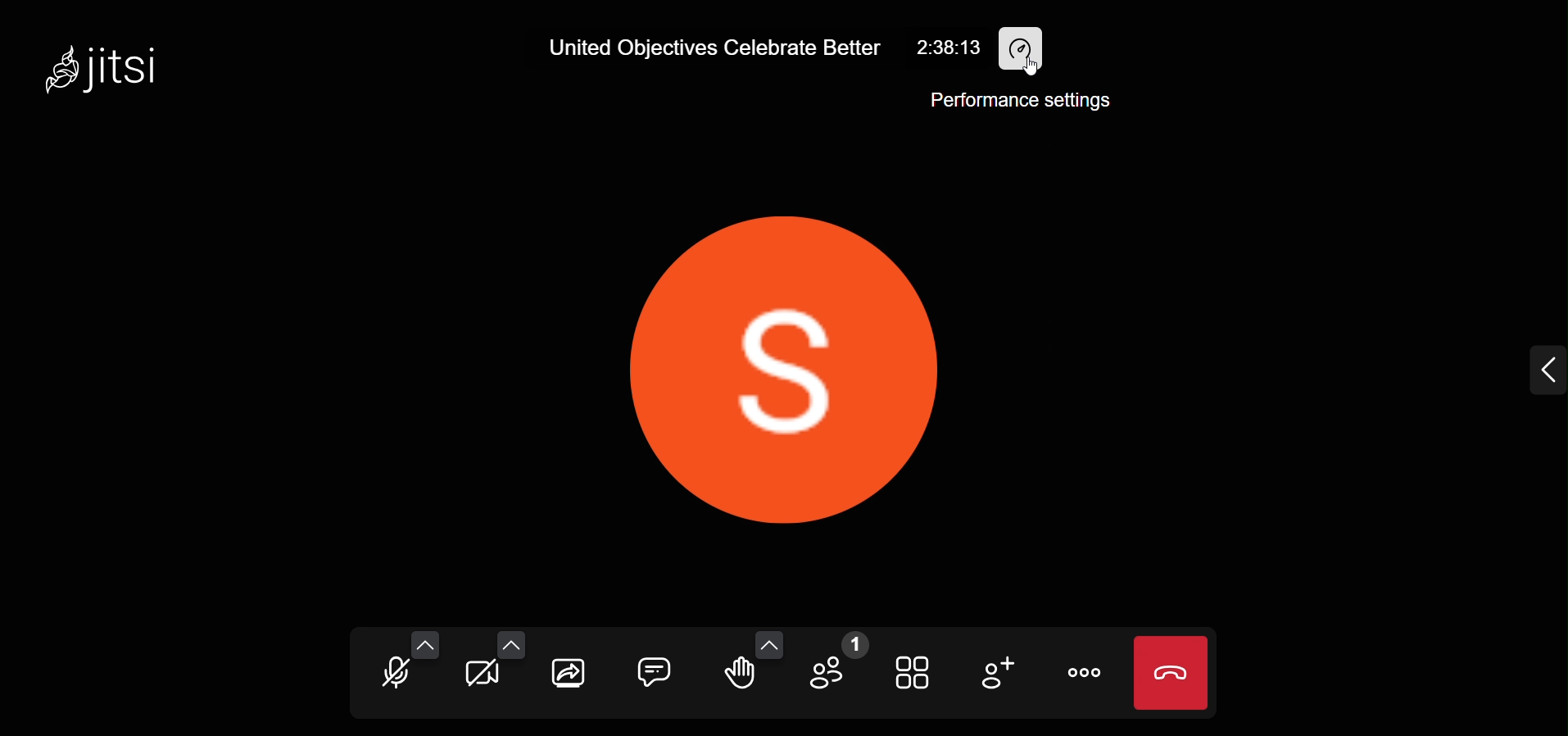 The width and height of the screenshot is (1568, 736). What do you see at coordinates (395, 675) in the screenshot?
I see `microphone` at bounding box center [395, 675].